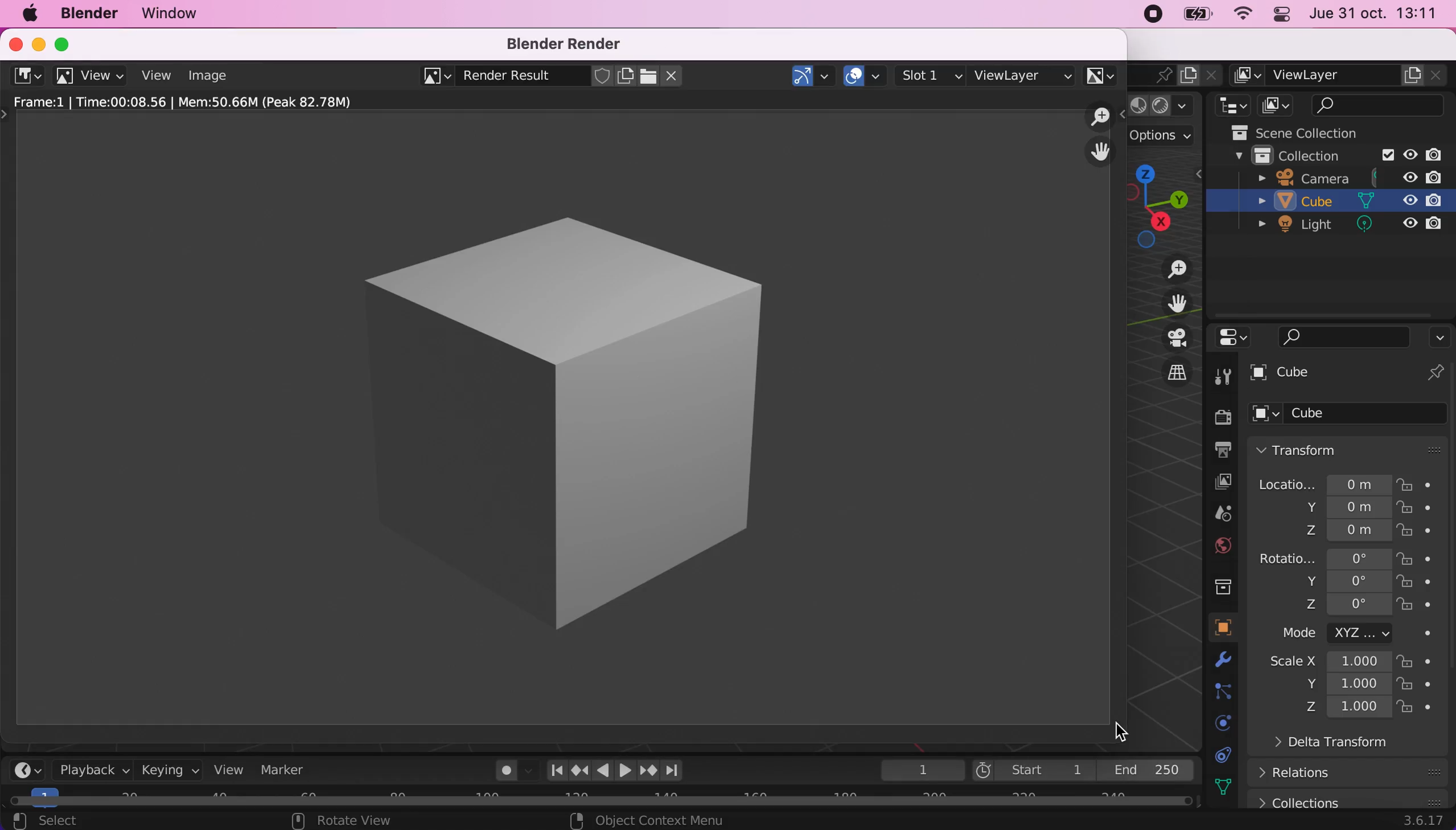  What do you see at coordinates (1322, 746) in the screenshot?
I see `delta transform` at bounding box center [1322, 746].